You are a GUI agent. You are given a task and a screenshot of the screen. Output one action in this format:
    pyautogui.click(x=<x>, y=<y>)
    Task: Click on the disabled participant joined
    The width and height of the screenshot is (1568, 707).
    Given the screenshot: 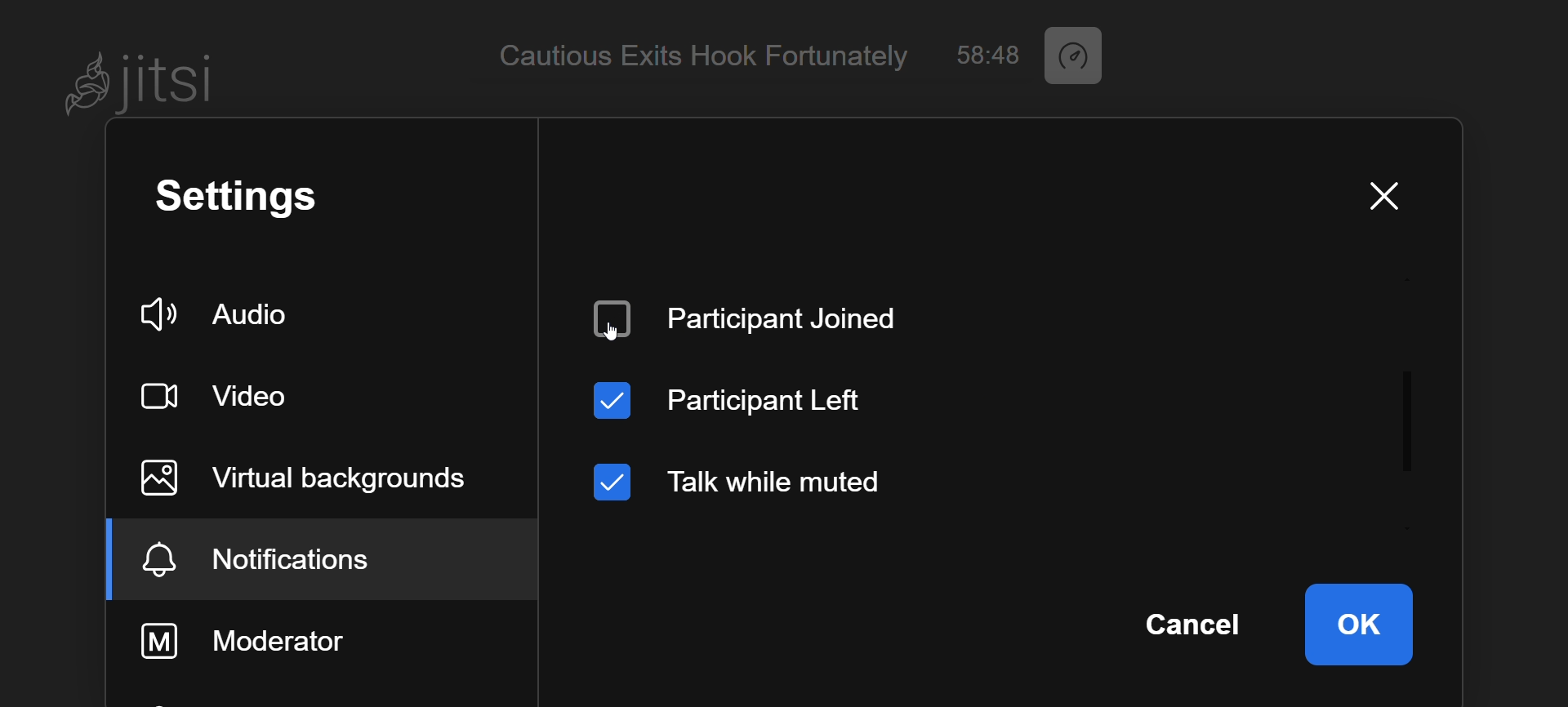 What is the action you would take?
    pyautogui.click(x=758, y=318)
    